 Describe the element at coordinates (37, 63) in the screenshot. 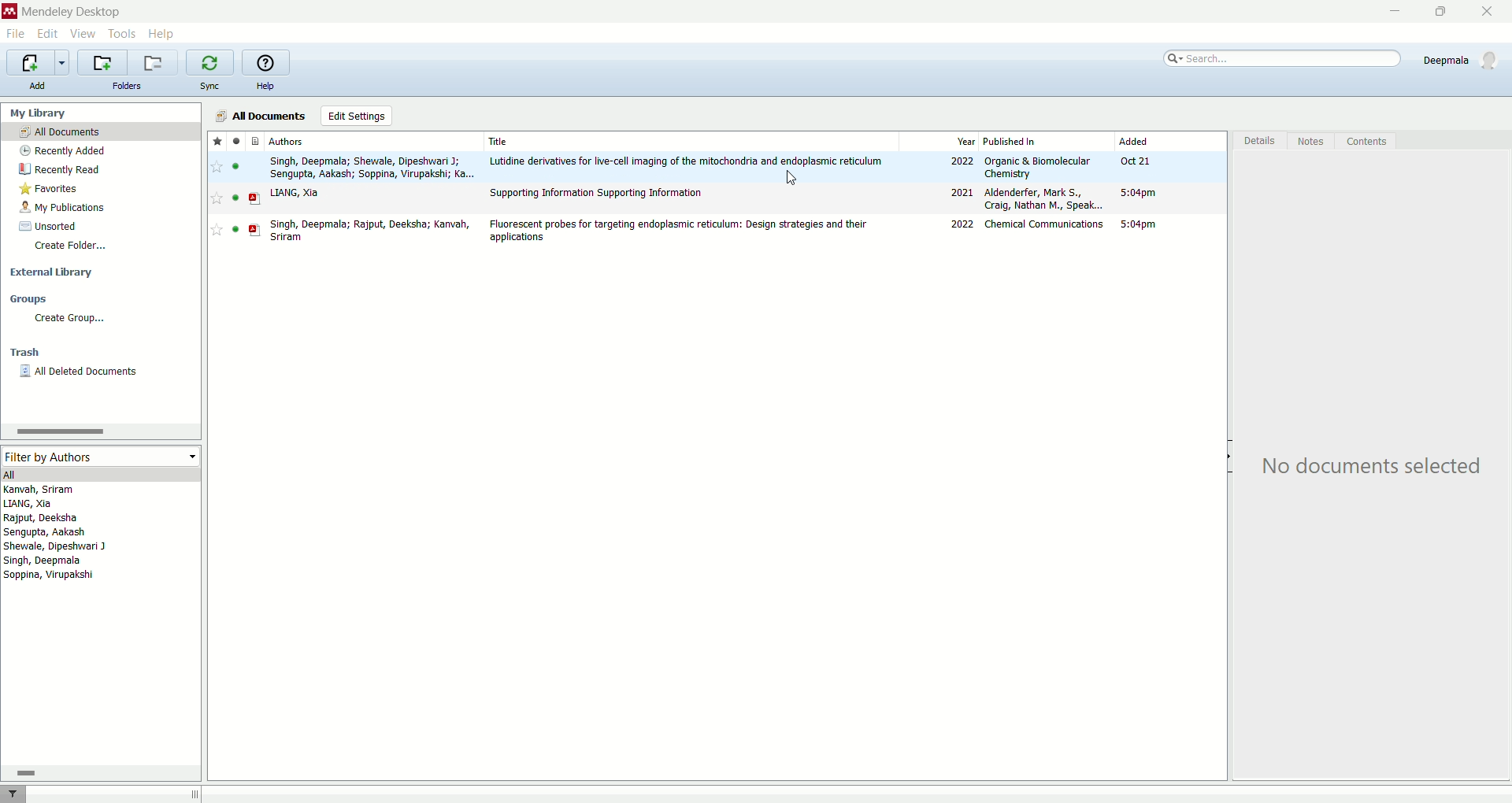

I see `imports` at that location.